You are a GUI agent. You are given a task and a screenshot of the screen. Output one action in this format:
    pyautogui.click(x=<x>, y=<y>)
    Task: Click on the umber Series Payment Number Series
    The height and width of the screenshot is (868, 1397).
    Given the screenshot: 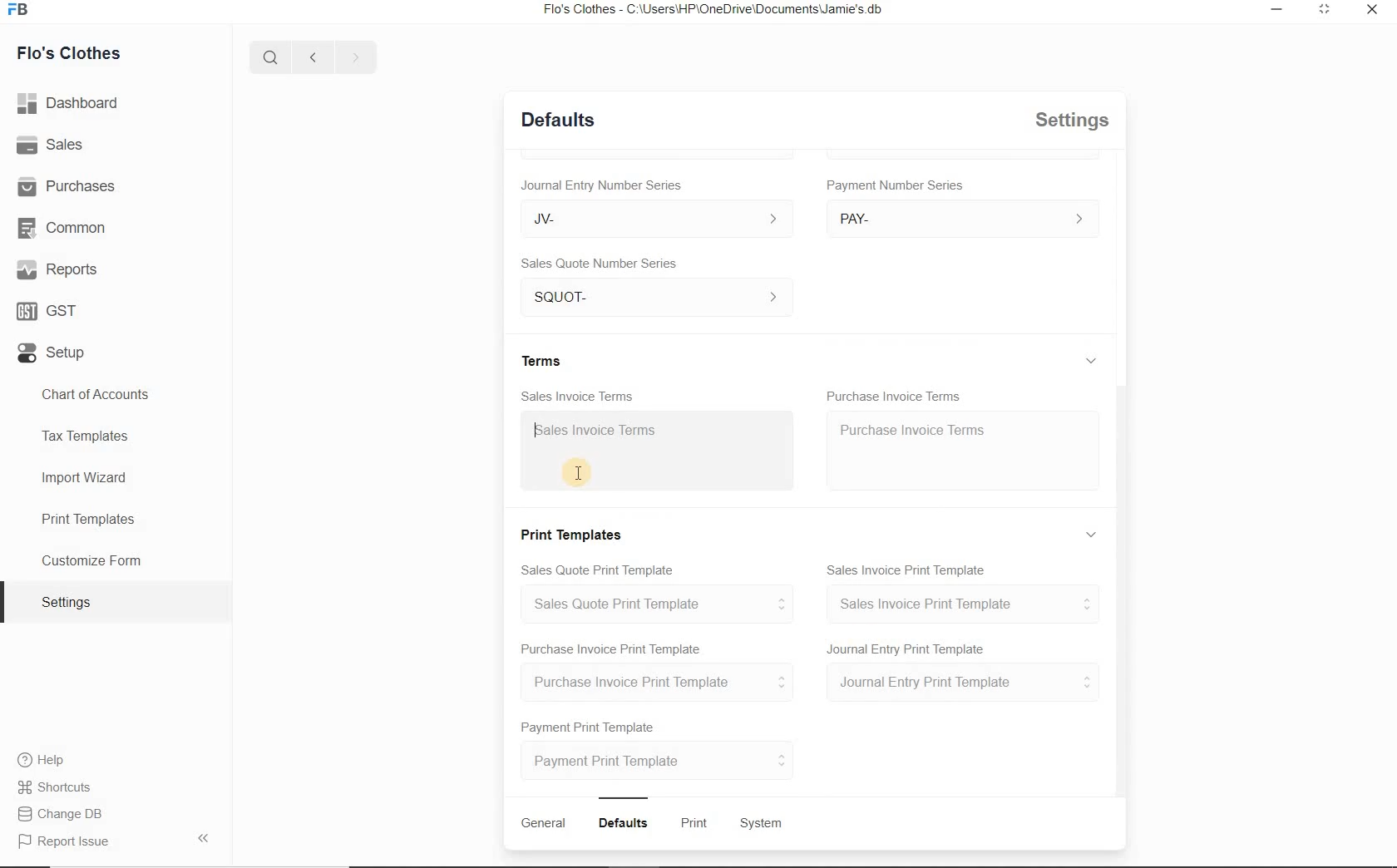 What is the action you would take?
    pyautogui.click(x=897, y=185)
    